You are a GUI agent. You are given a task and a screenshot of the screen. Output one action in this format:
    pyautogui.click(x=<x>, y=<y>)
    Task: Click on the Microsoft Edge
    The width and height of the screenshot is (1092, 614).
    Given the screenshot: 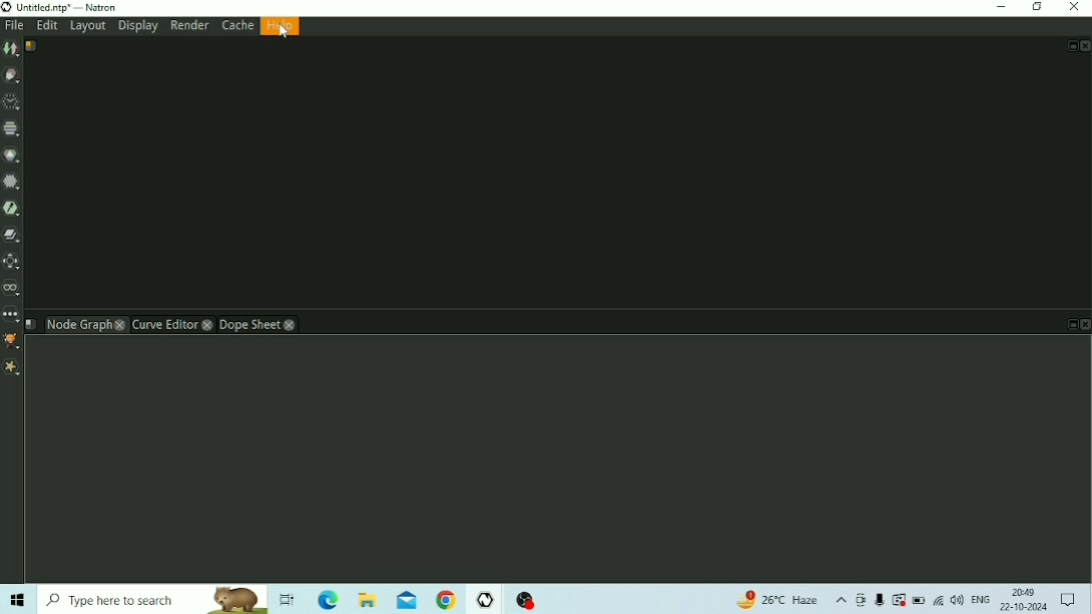 What is the action you would take?
    pyautogui.click(x=328, y=598)
    